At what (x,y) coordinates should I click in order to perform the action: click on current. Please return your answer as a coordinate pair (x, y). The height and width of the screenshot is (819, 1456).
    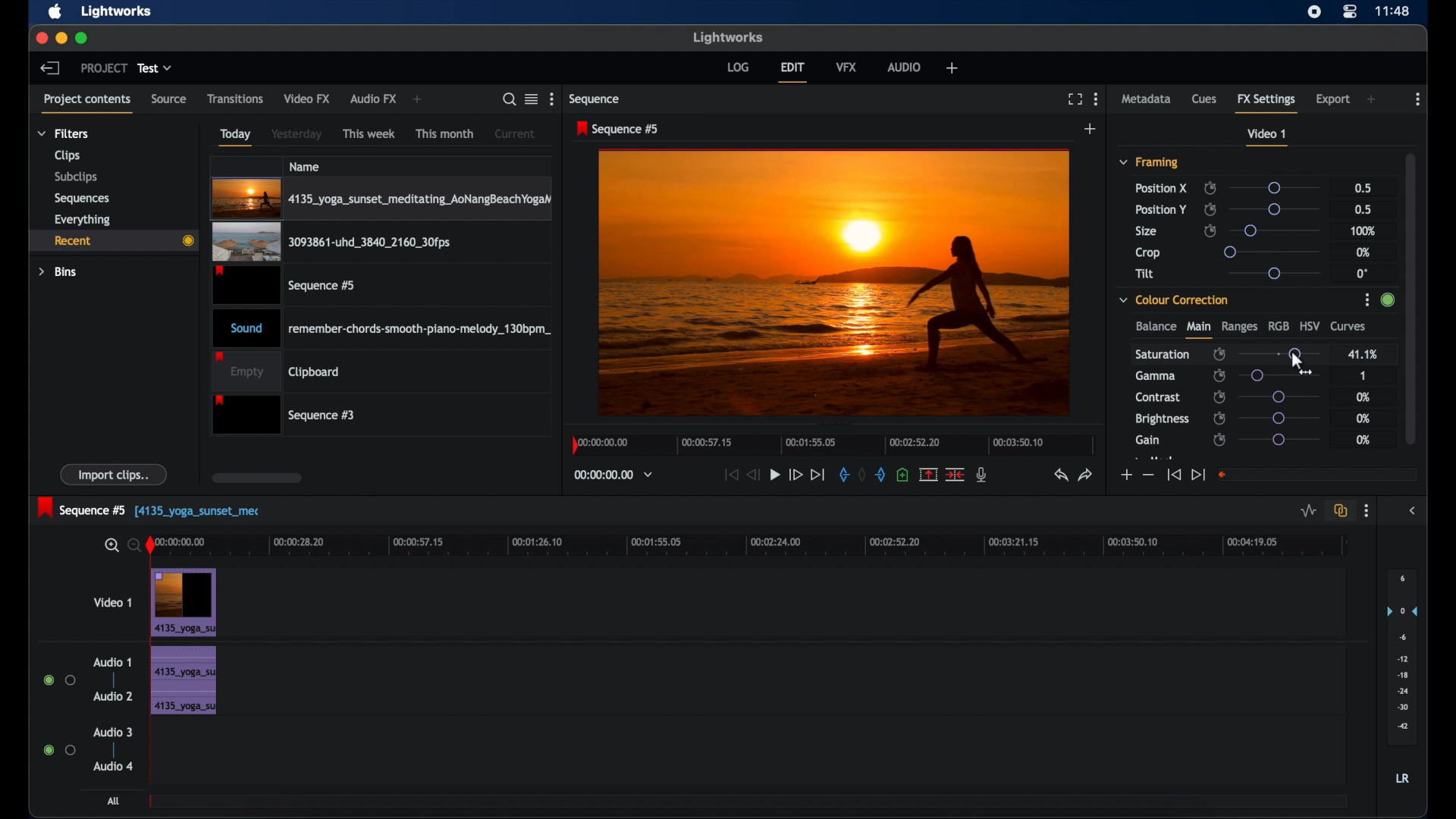
    Looking at the image, I should click on (515, 133).